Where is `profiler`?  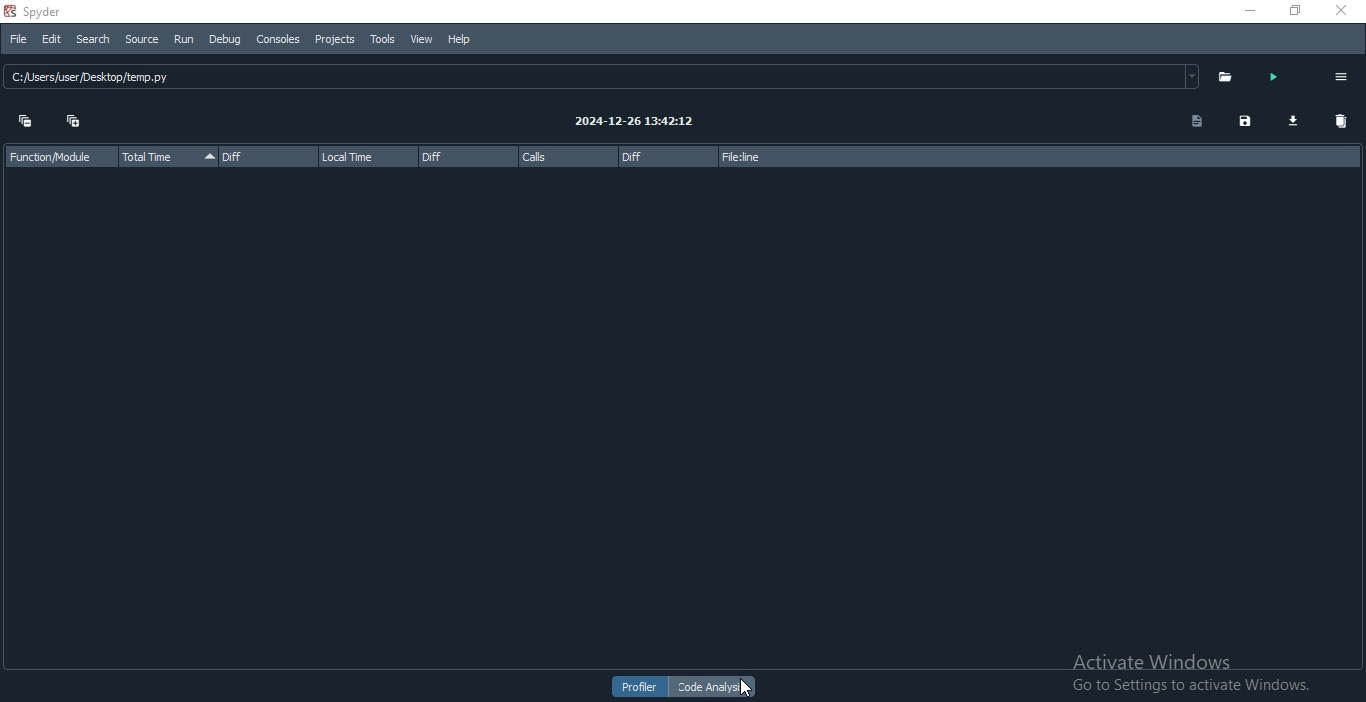
profiler is located at coordinates (640, 687).